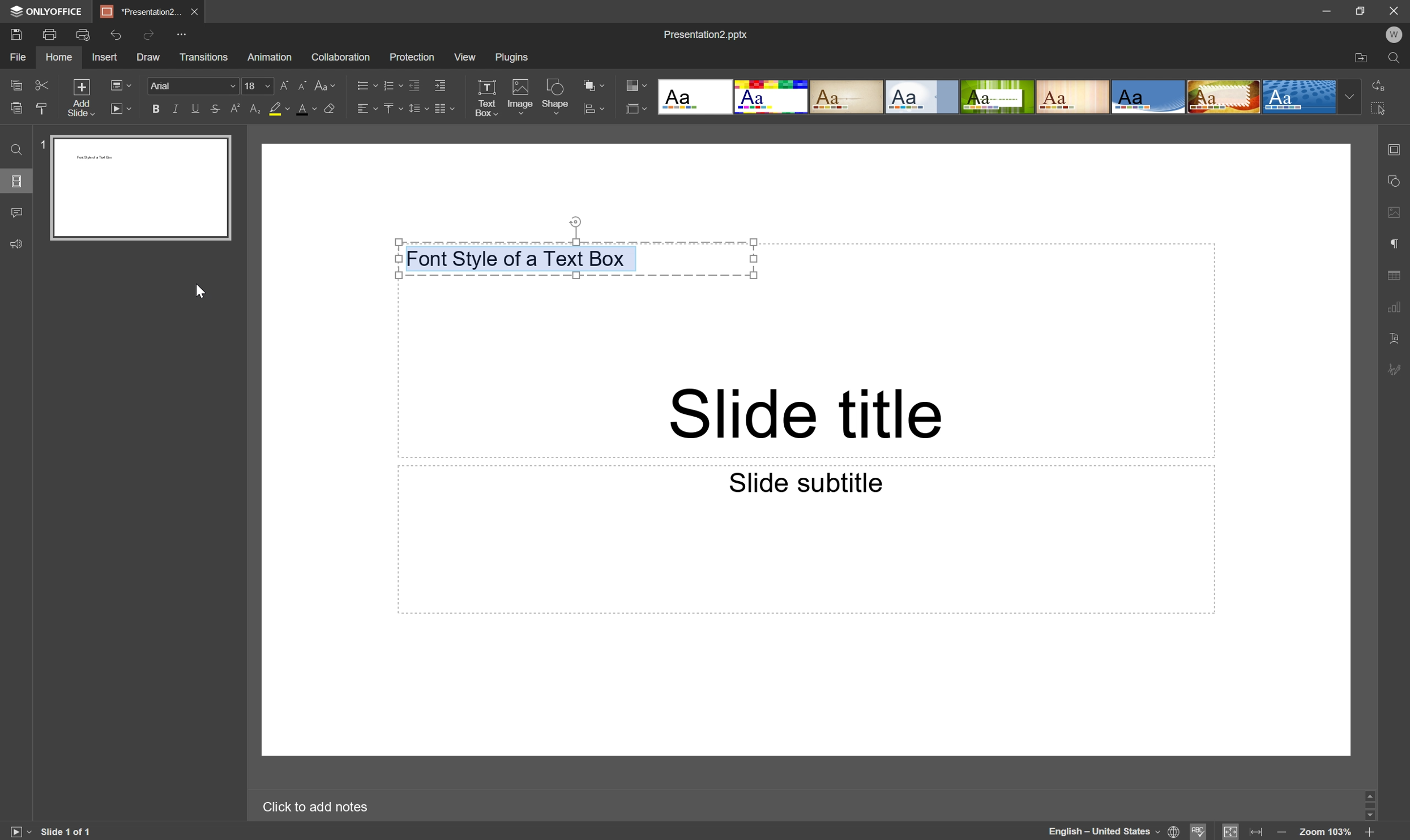  I want to click on Draw, so click(150, 55).